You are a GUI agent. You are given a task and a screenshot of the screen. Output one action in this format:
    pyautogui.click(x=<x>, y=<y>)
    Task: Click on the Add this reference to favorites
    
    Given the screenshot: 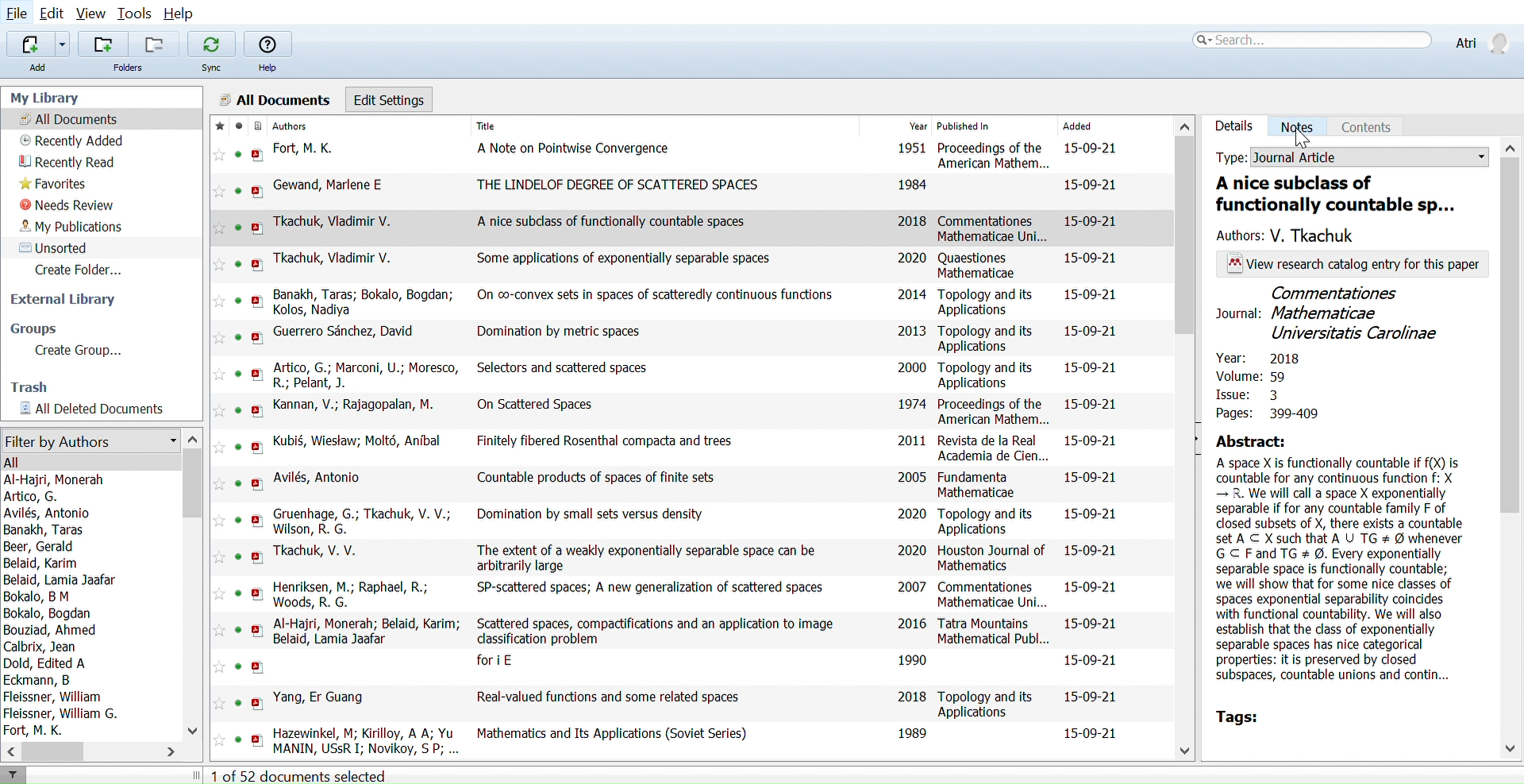 What is the action you would take?
    pyautogui.click(x=220, y=741)
    